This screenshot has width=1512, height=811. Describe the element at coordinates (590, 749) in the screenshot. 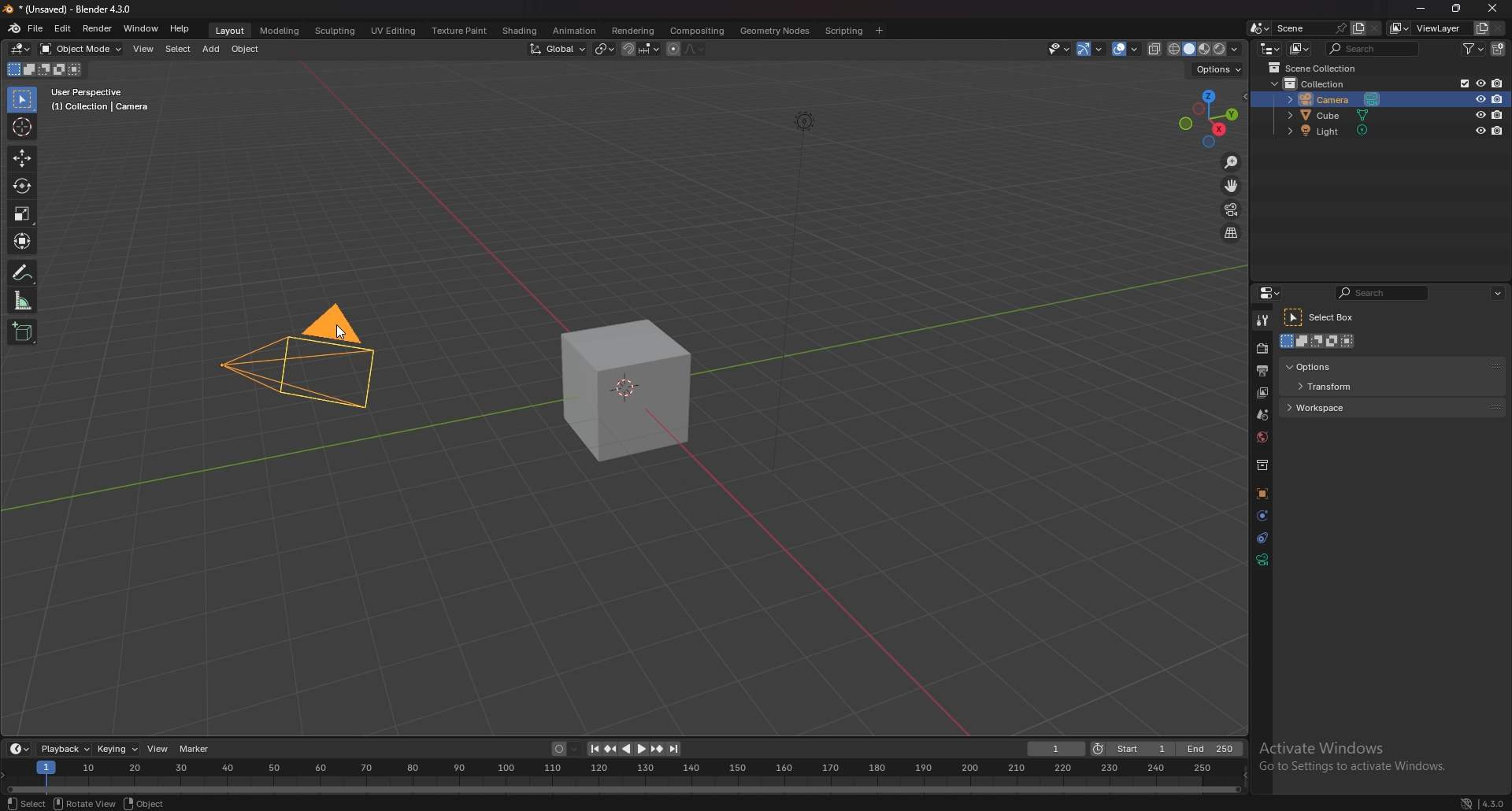

I see `jump to endpoint` at that location.